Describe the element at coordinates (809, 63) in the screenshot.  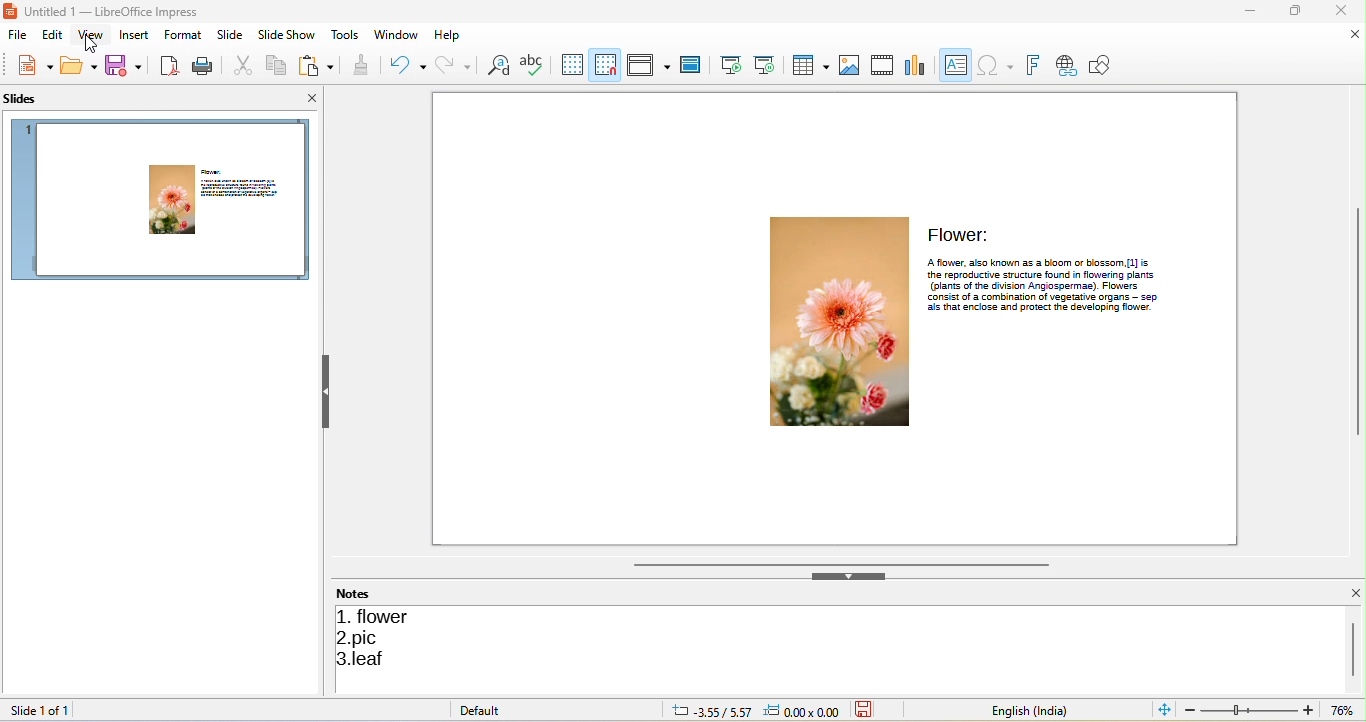
I see `table` at that location.